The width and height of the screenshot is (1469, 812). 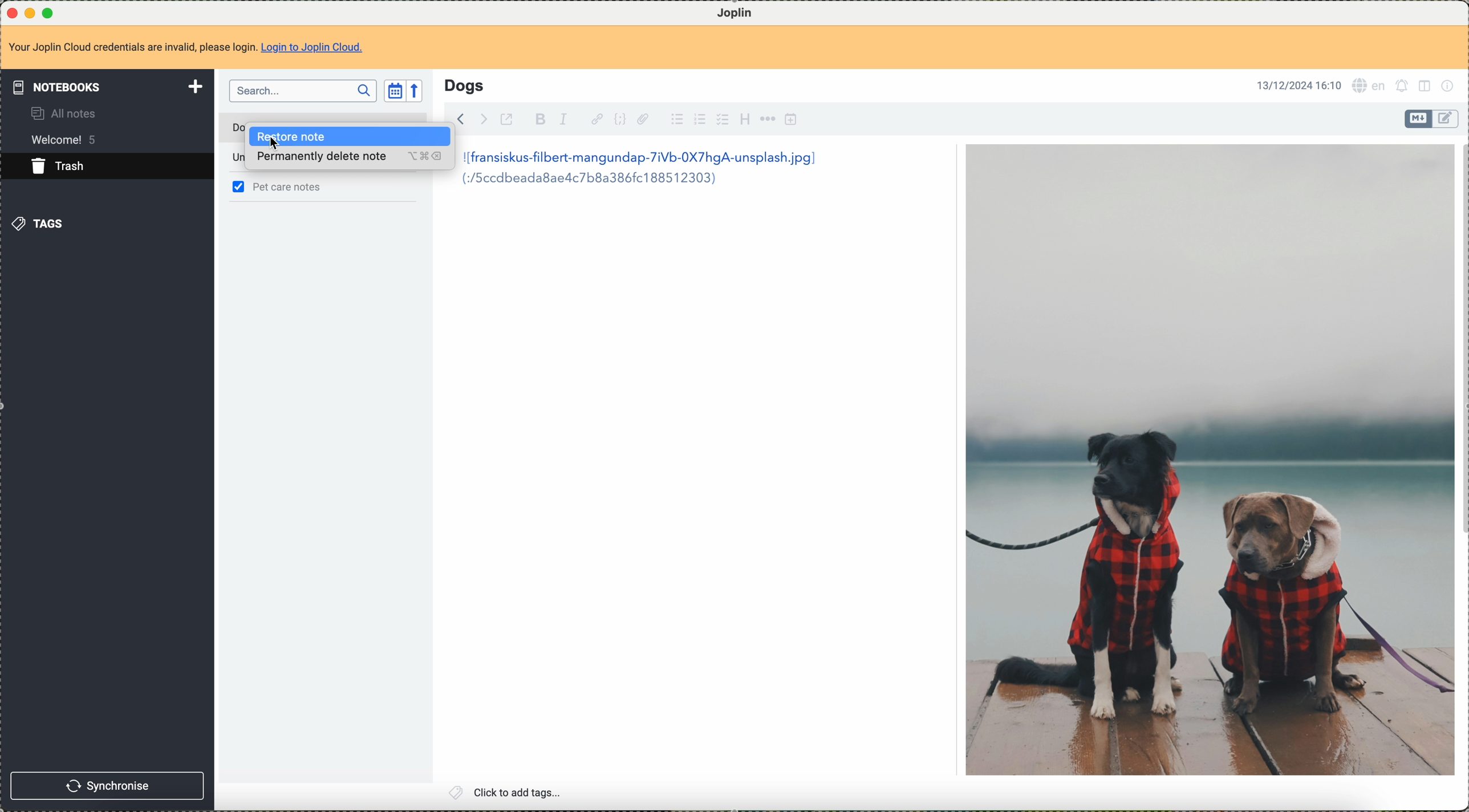 I want to click on toggle editor, so click(x=1447, y=118).